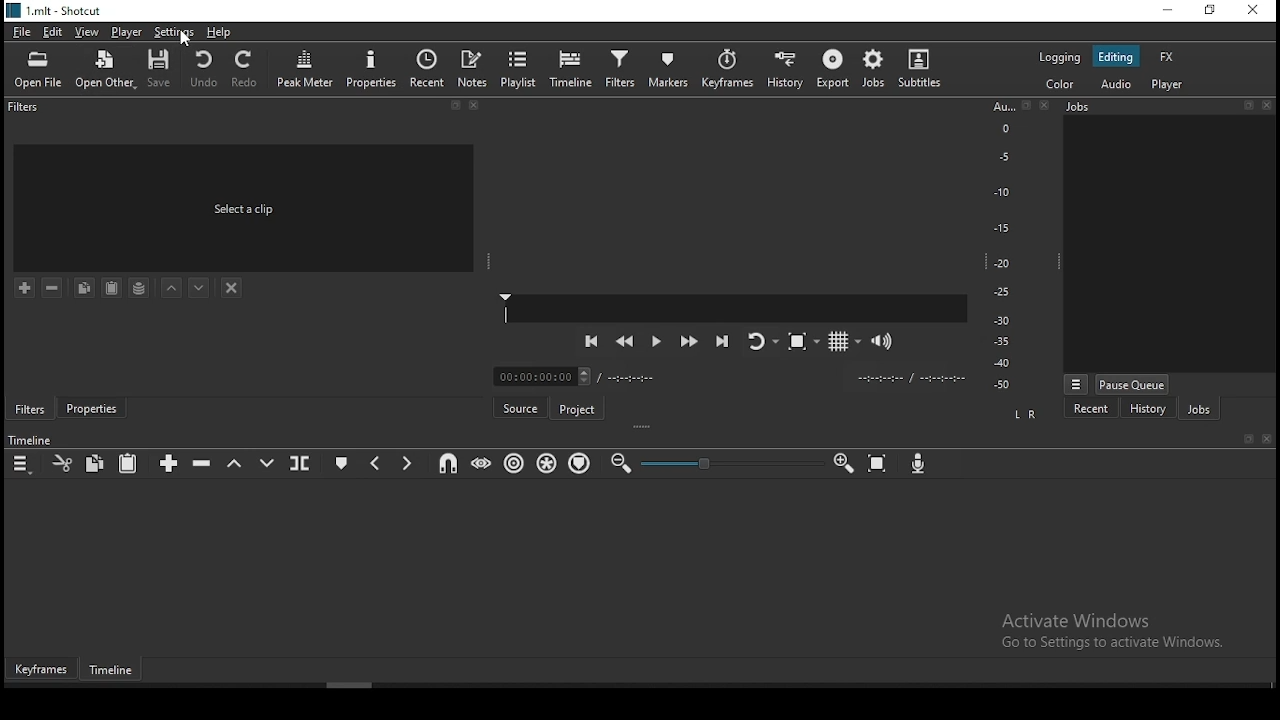 The image size is (1280, 720). What do you see at coordinates (343, 460) in the screenshot?
I see `create/edit marker` at bounding box center [343, 460].